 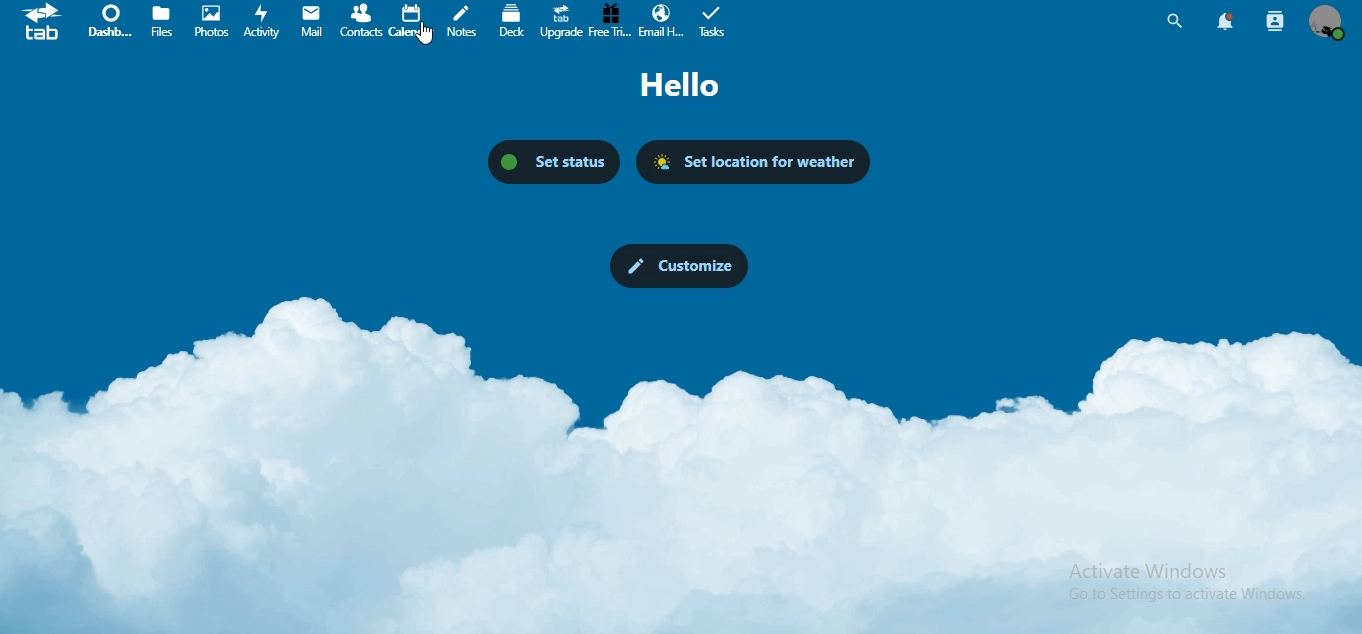 I want to click on notes, so click(x=465, y=22).